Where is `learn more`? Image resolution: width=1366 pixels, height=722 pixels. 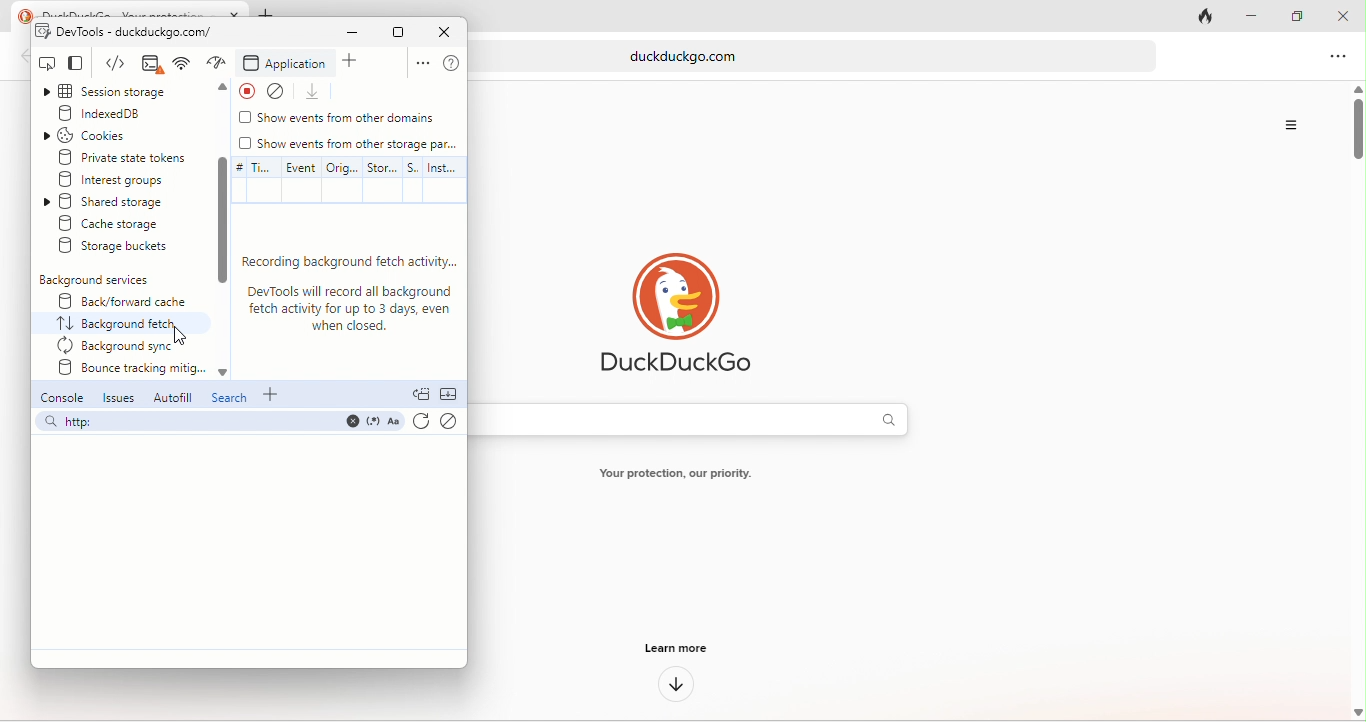 learn more is located at coordinates (673, 647).